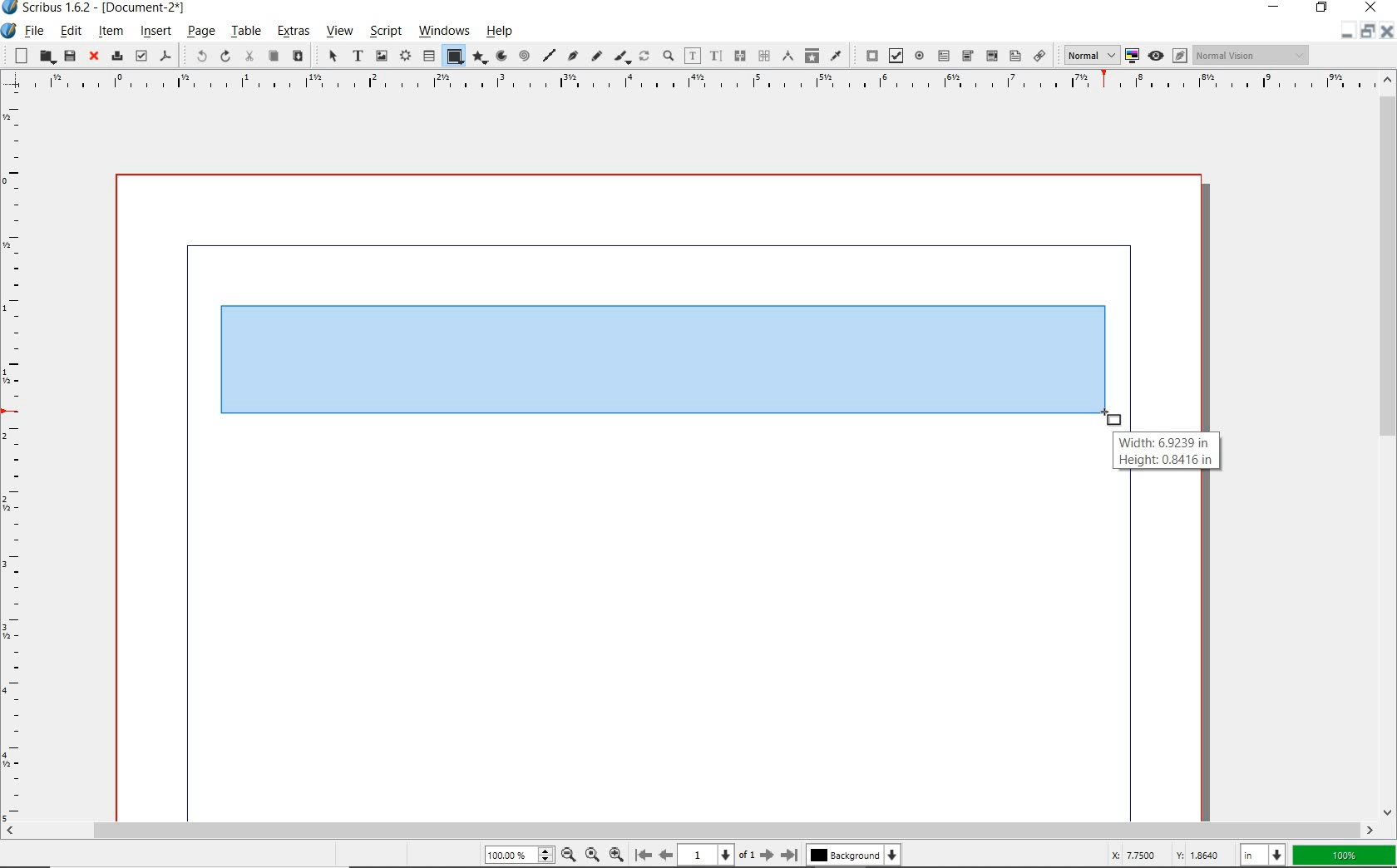 The height and width of the screenshot is (868, 1397). Describe the element at coordinates (501, 56) in the screenshot. I see `arc` at that location.